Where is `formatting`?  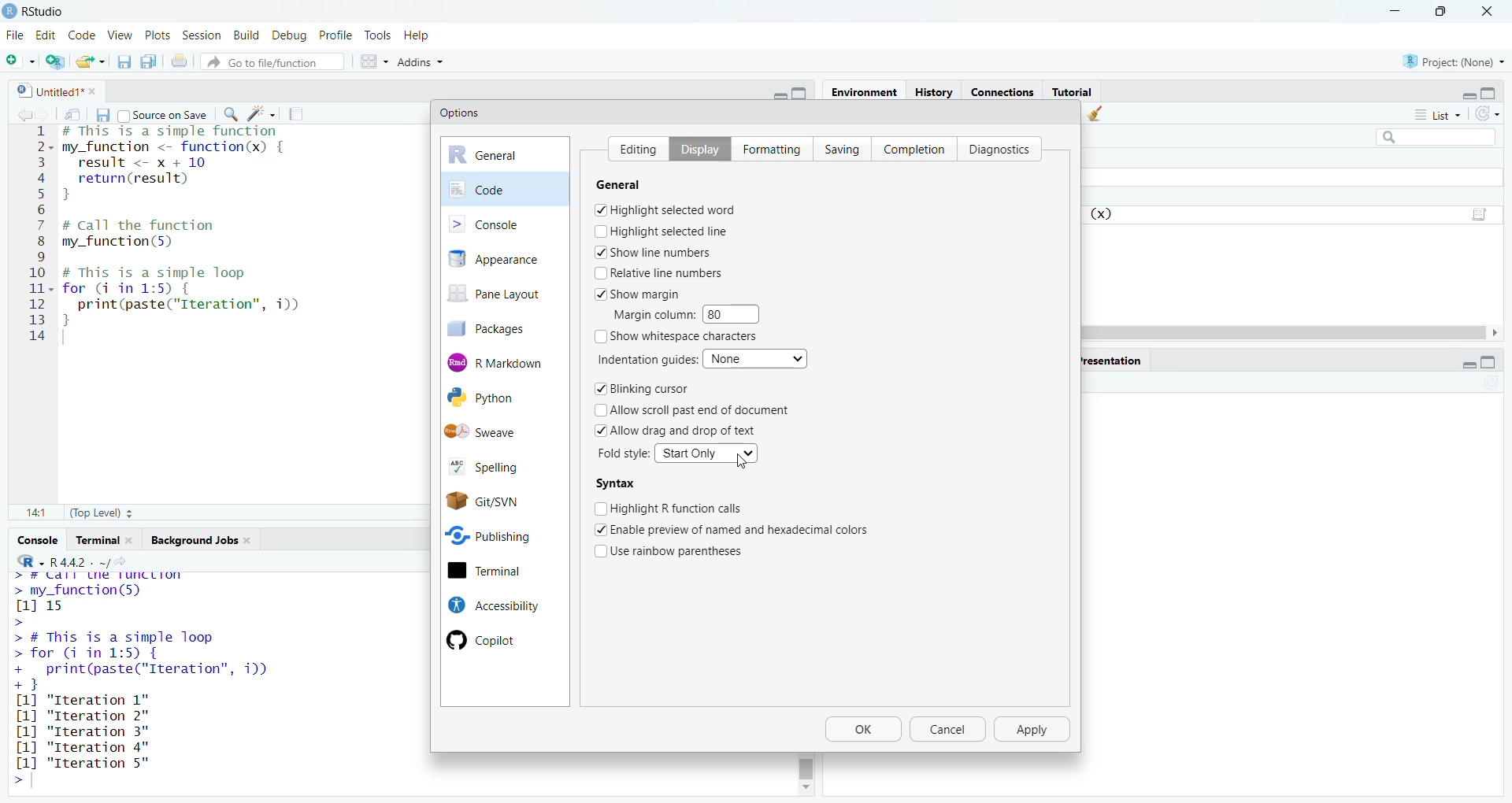
formatting is located at coordinates (768, 147).